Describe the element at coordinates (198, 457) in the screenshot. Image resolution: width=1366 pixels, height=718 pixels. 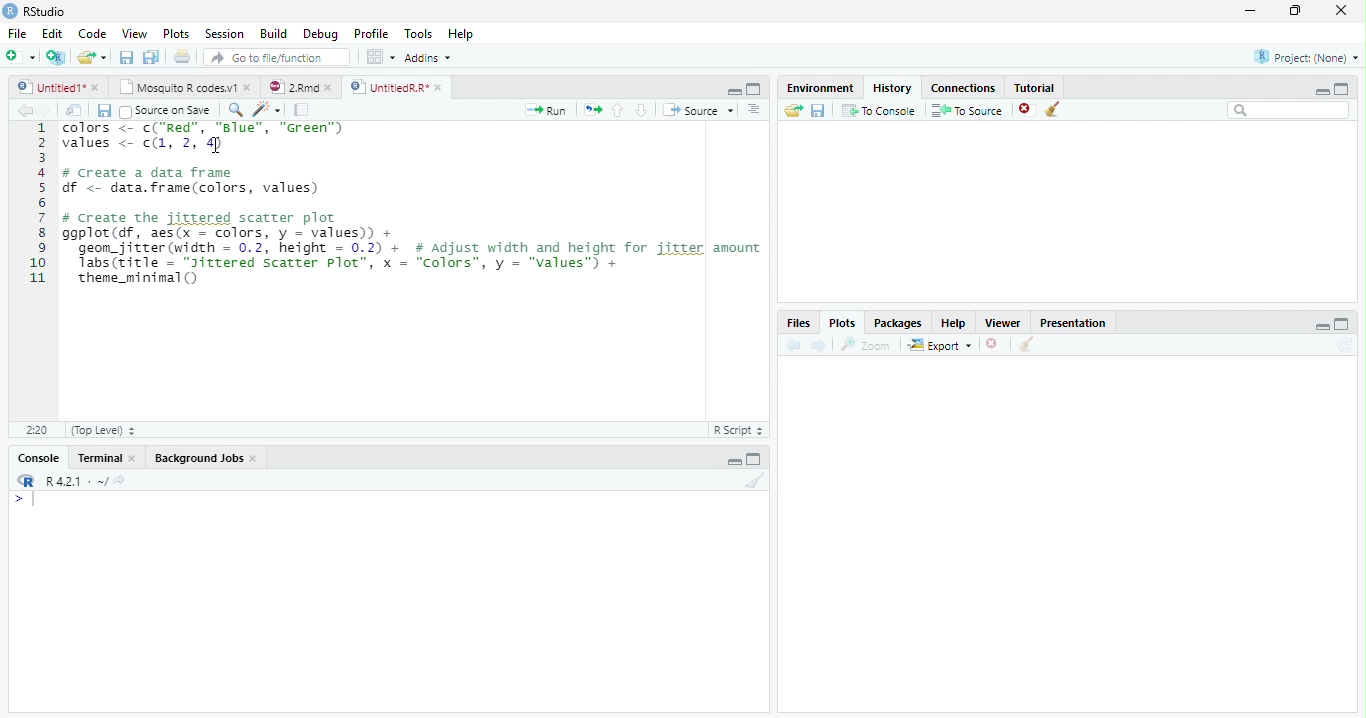
I see `Background Jobs` at that location.